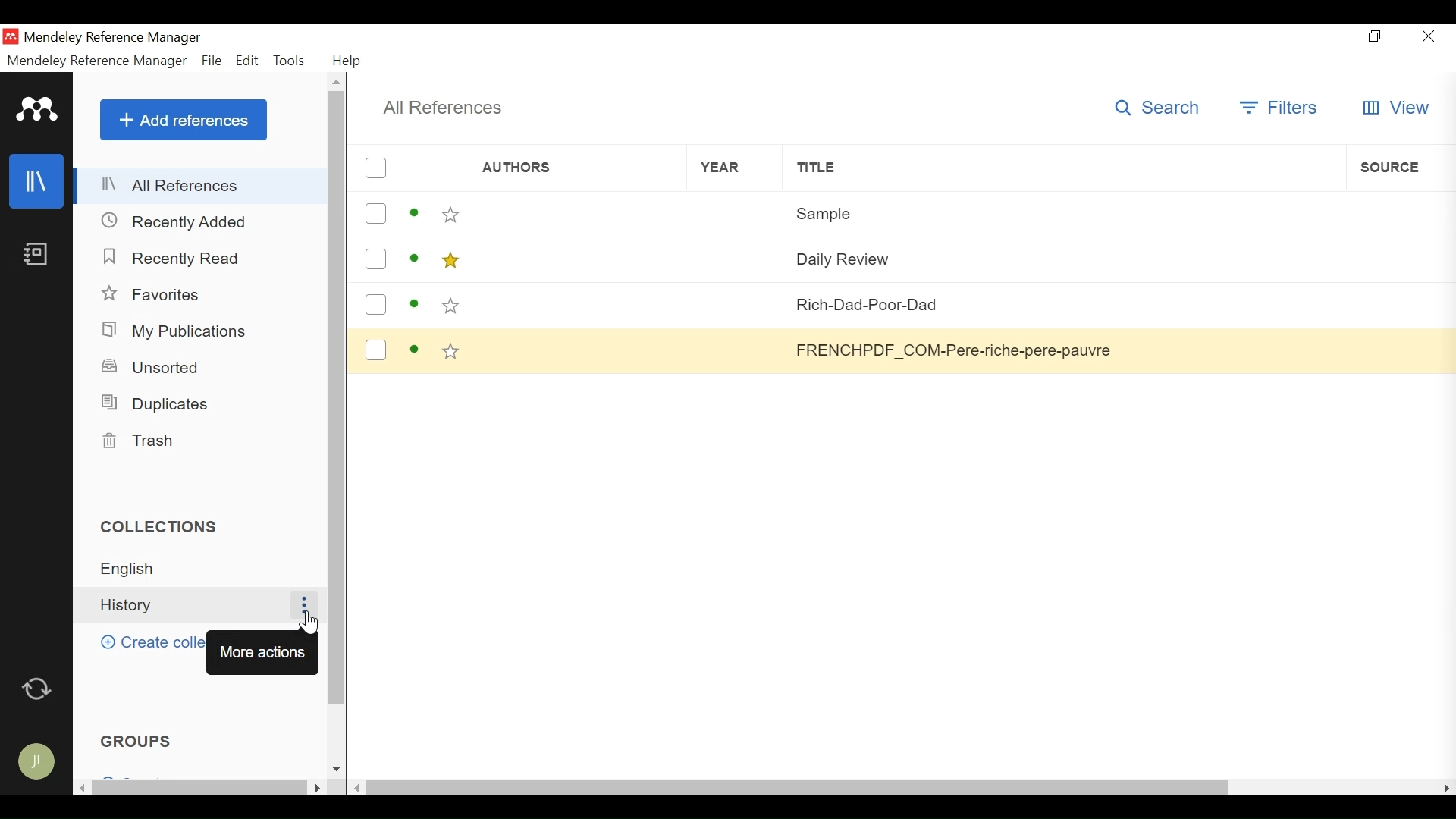 This screenshot has width=1456, height=819. Describe the element at coordinates (375, 259) in the screenshot. I see `(un)select` at that location.